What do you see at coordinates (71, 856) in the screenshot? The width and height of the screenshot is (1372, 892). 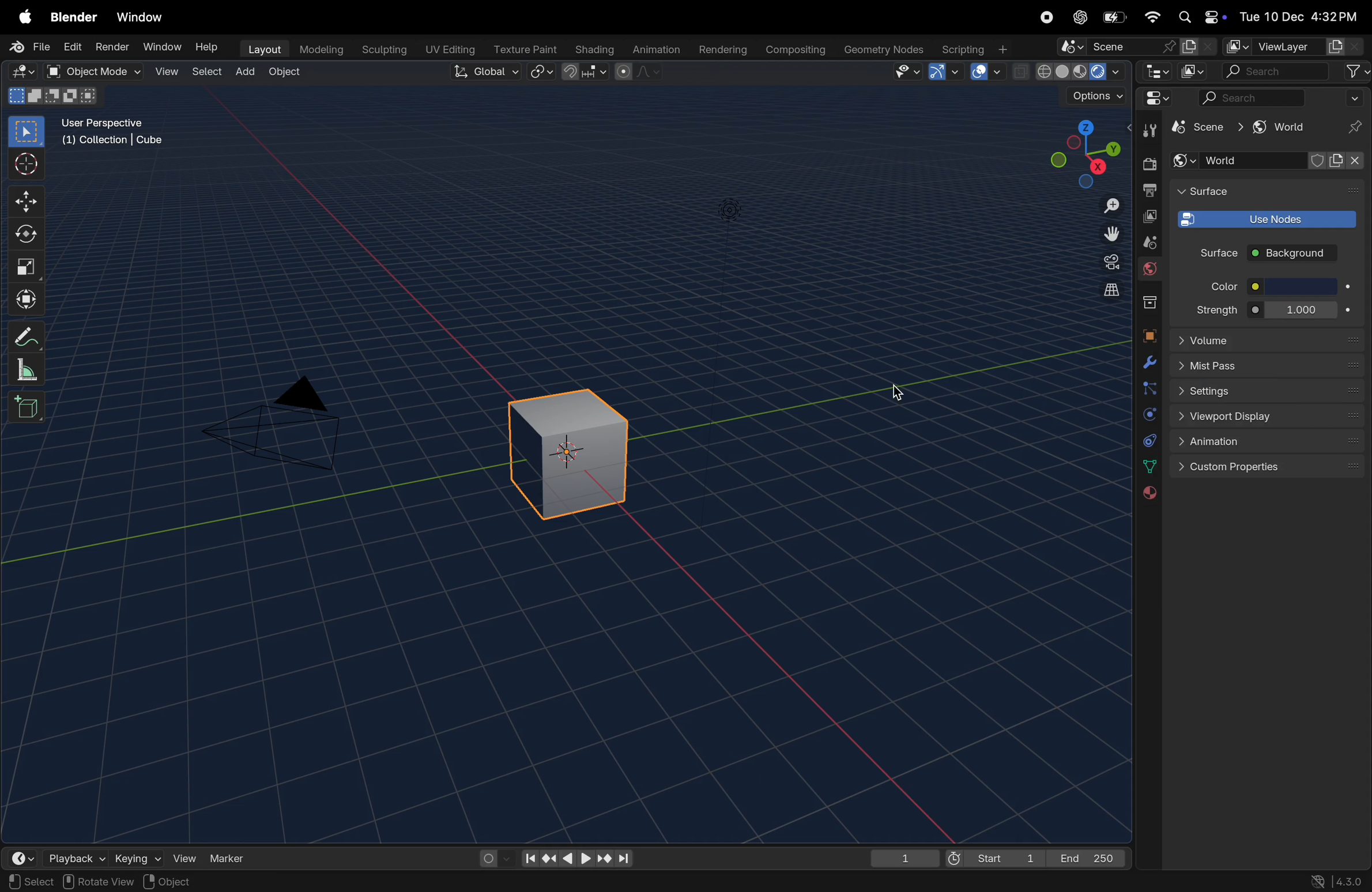 I see `playback` at bounding box center [71, 856].